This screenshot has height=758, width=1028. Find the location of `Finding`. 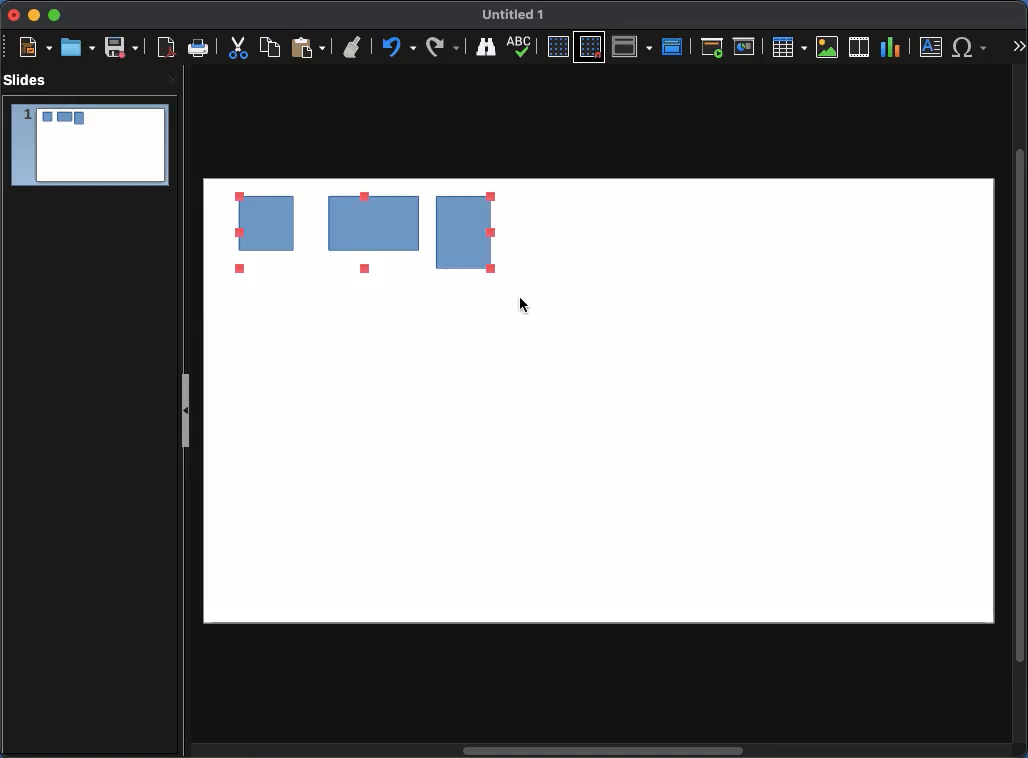

Finding is located at coordinates (443, 47).